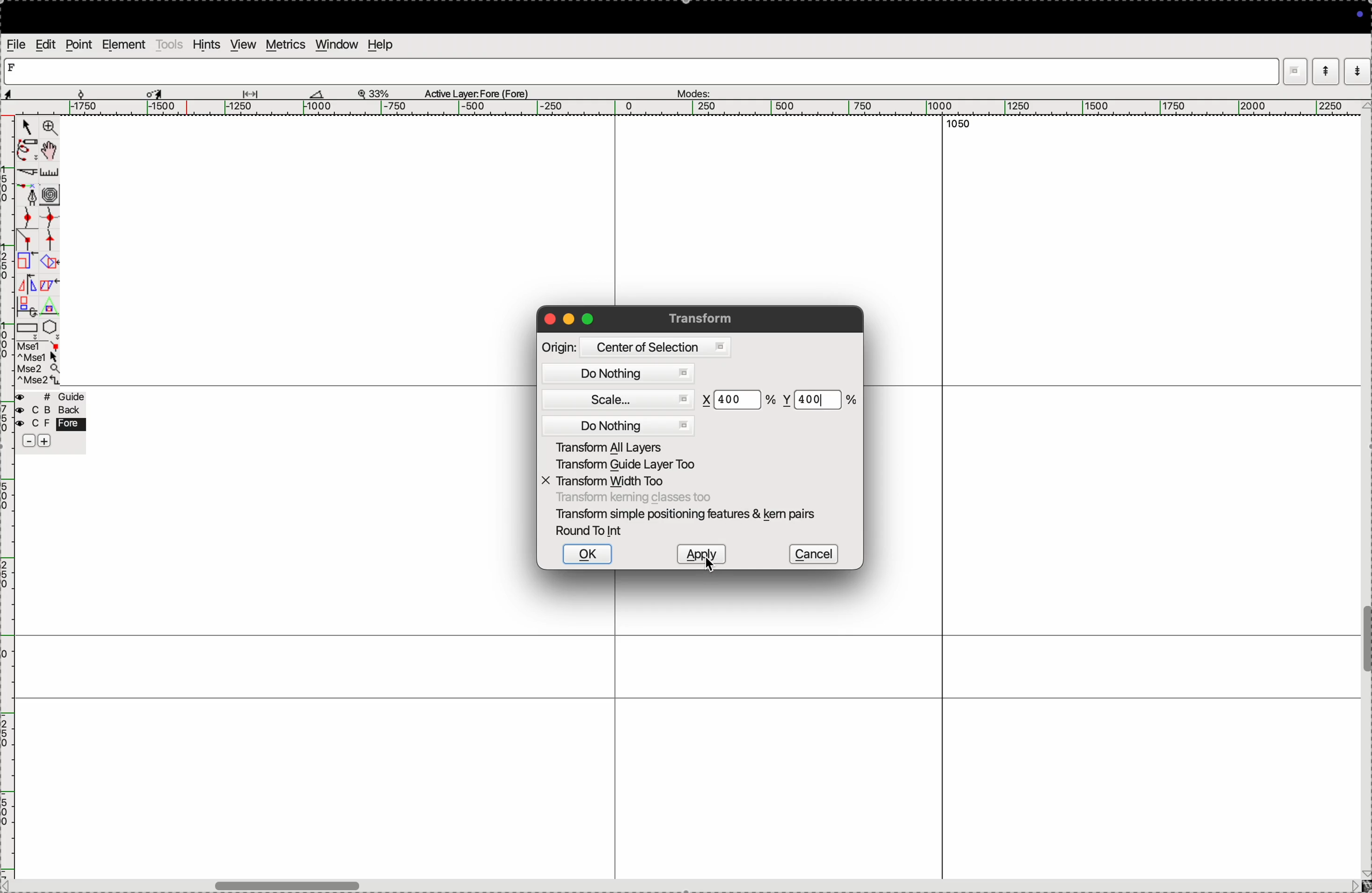  What do you see at coordinates (56, 173) in the screenshot?
I see `ruler` at bounding box center [56, 173].